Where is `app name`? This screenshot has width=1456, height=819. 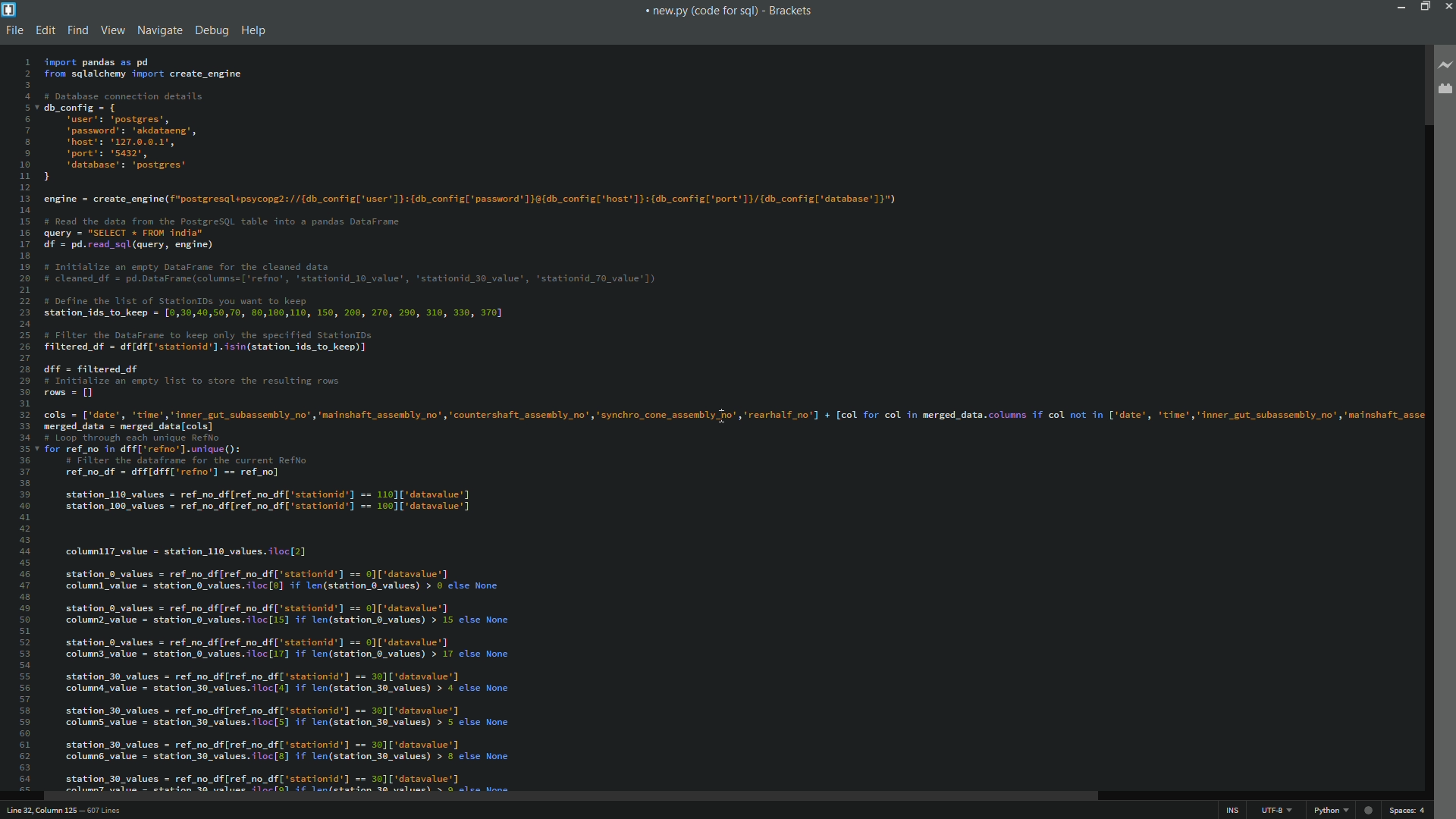 app name is located at coordinates (790, 11).